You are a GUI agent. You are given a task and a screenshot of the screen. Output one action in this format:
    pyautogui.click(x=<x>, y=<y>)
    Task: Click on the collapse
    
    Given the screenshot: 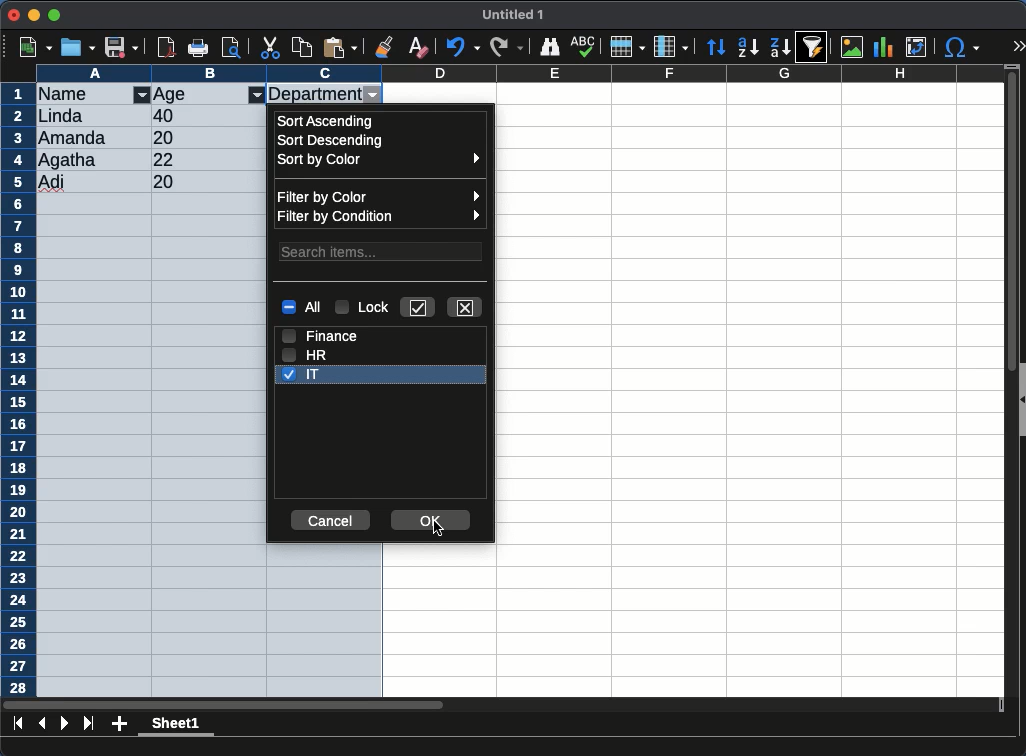 What is the action you would take?
    pyautogui.click(x=1020, y=399)
    